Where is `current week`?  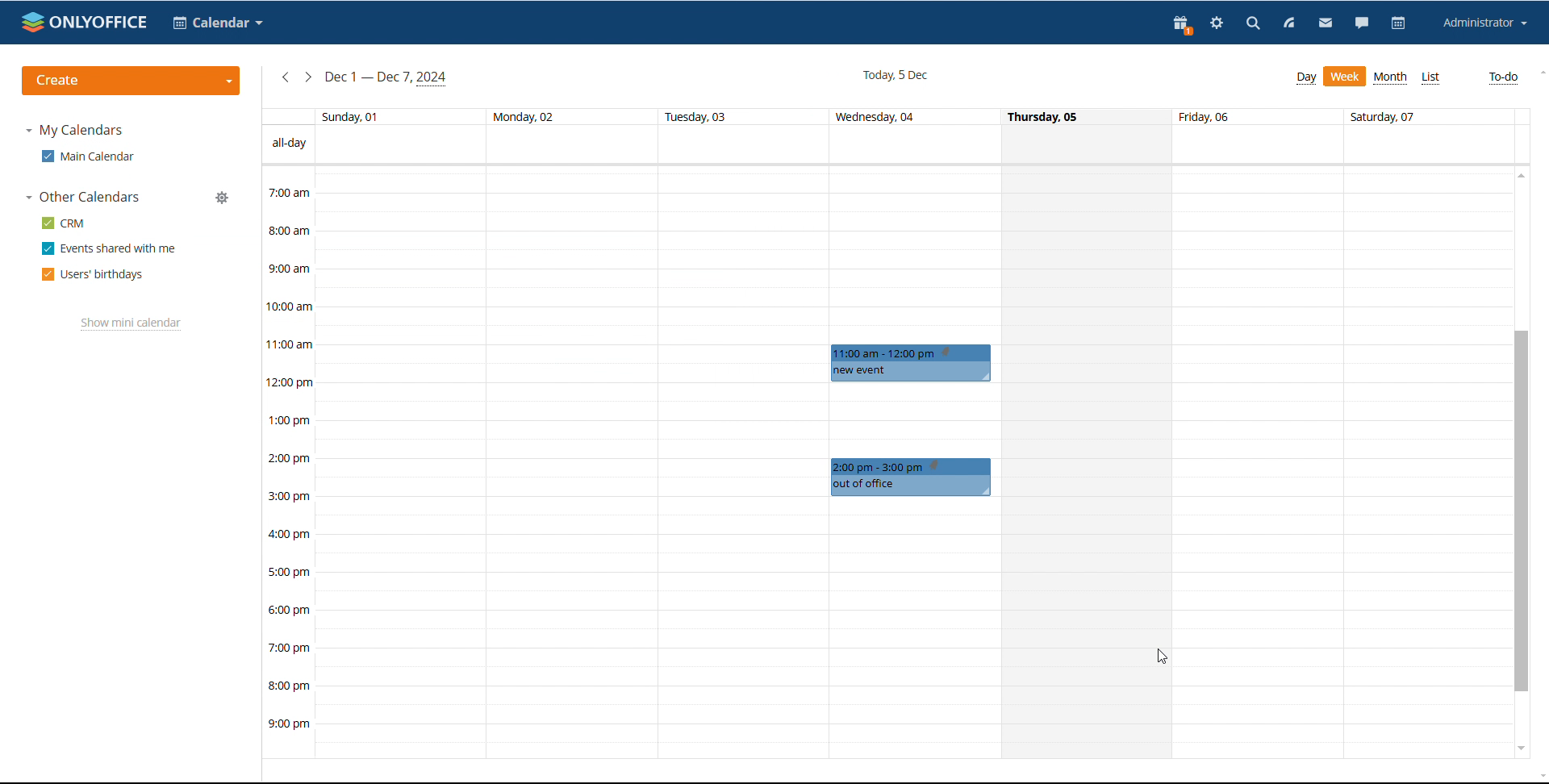
current week is located at coordinates (388, 79).